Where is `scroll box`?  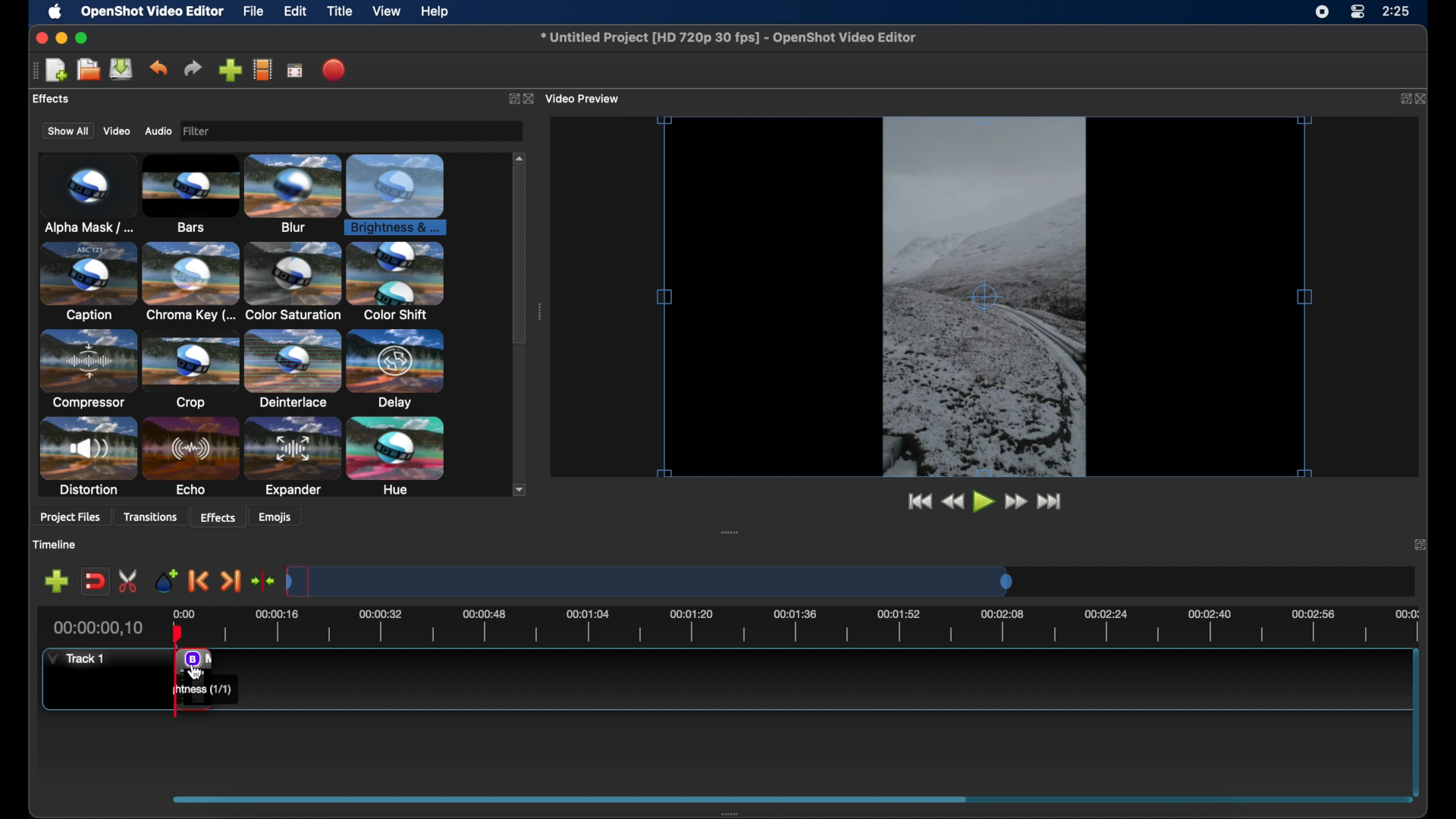
scroll box is located at coordinates (572, 799).